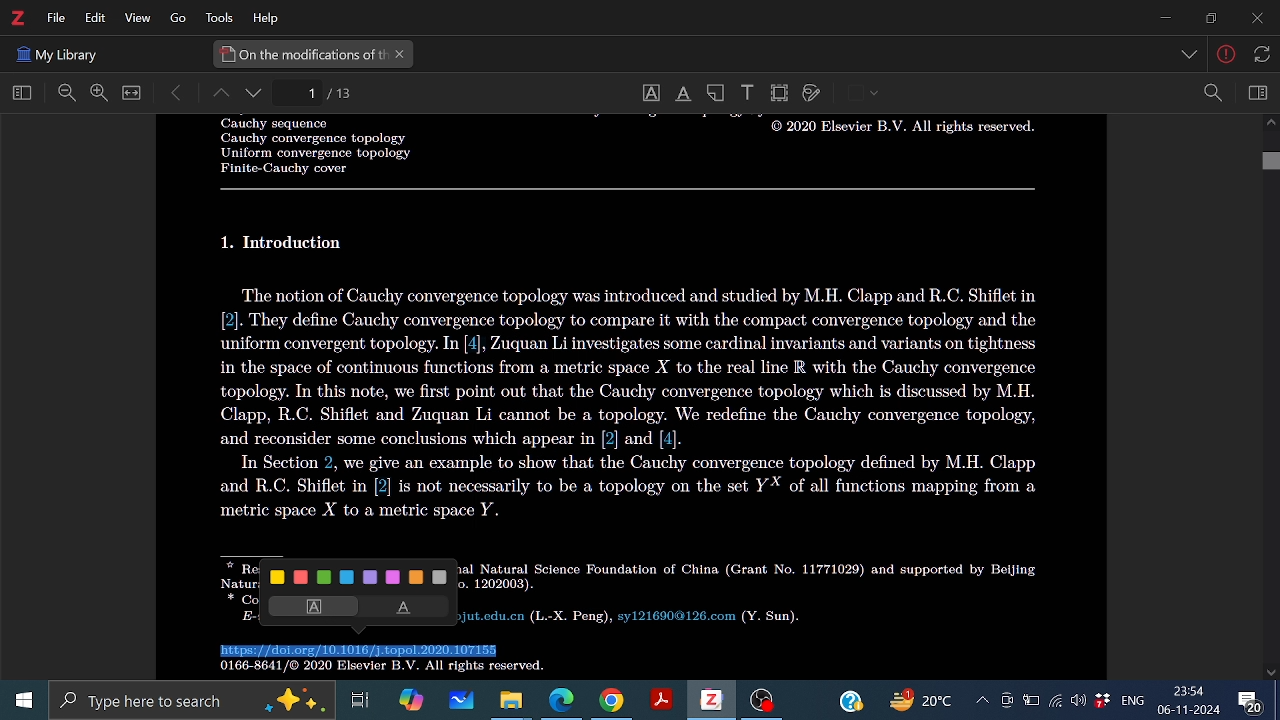 The width and height of the screenshot is (1280, 720). Describe the element at coordinates (1227, 57) in the screenshot. I see `` at that location.